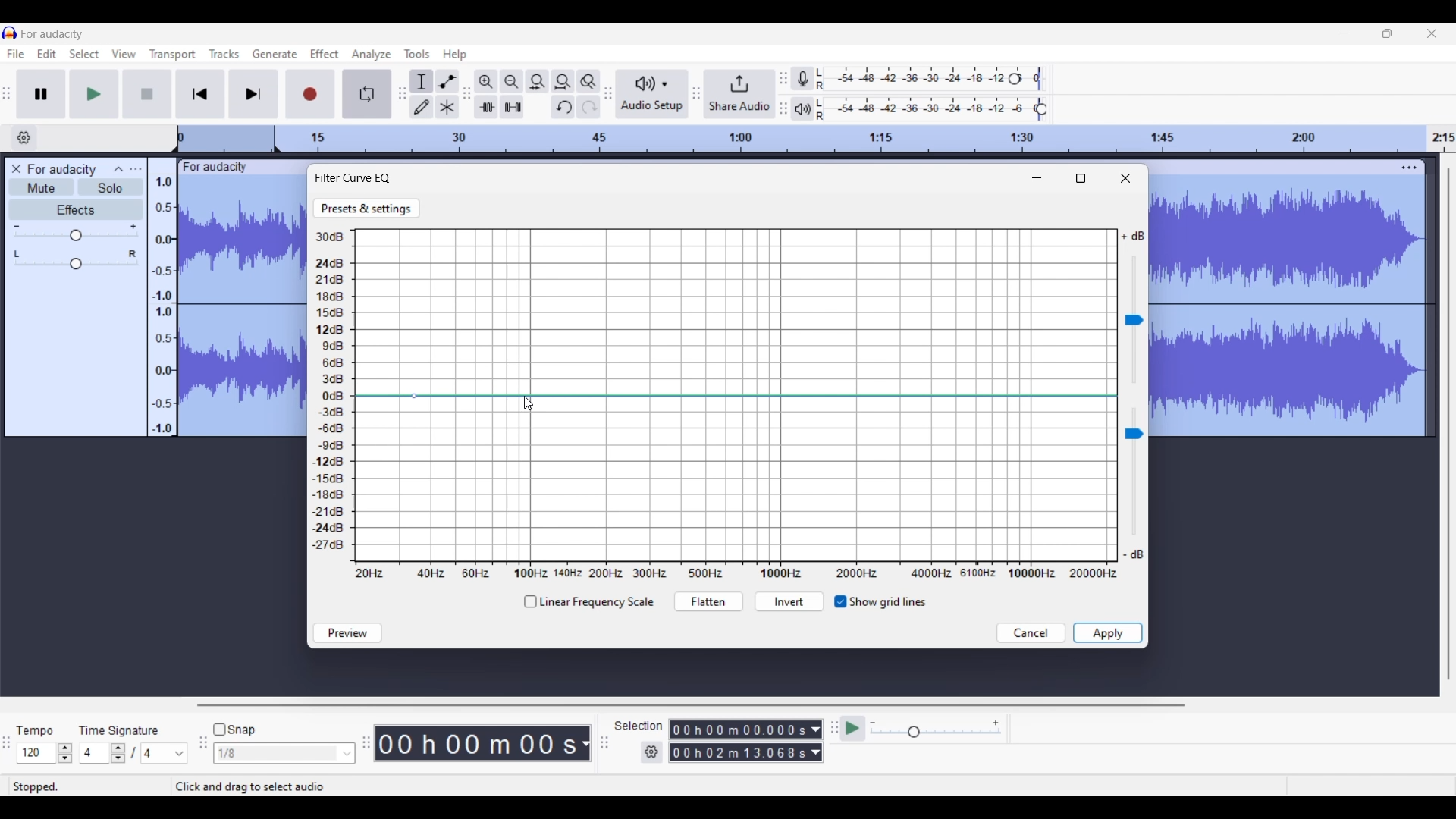  I want to click on Change pan, so click(76, 265).